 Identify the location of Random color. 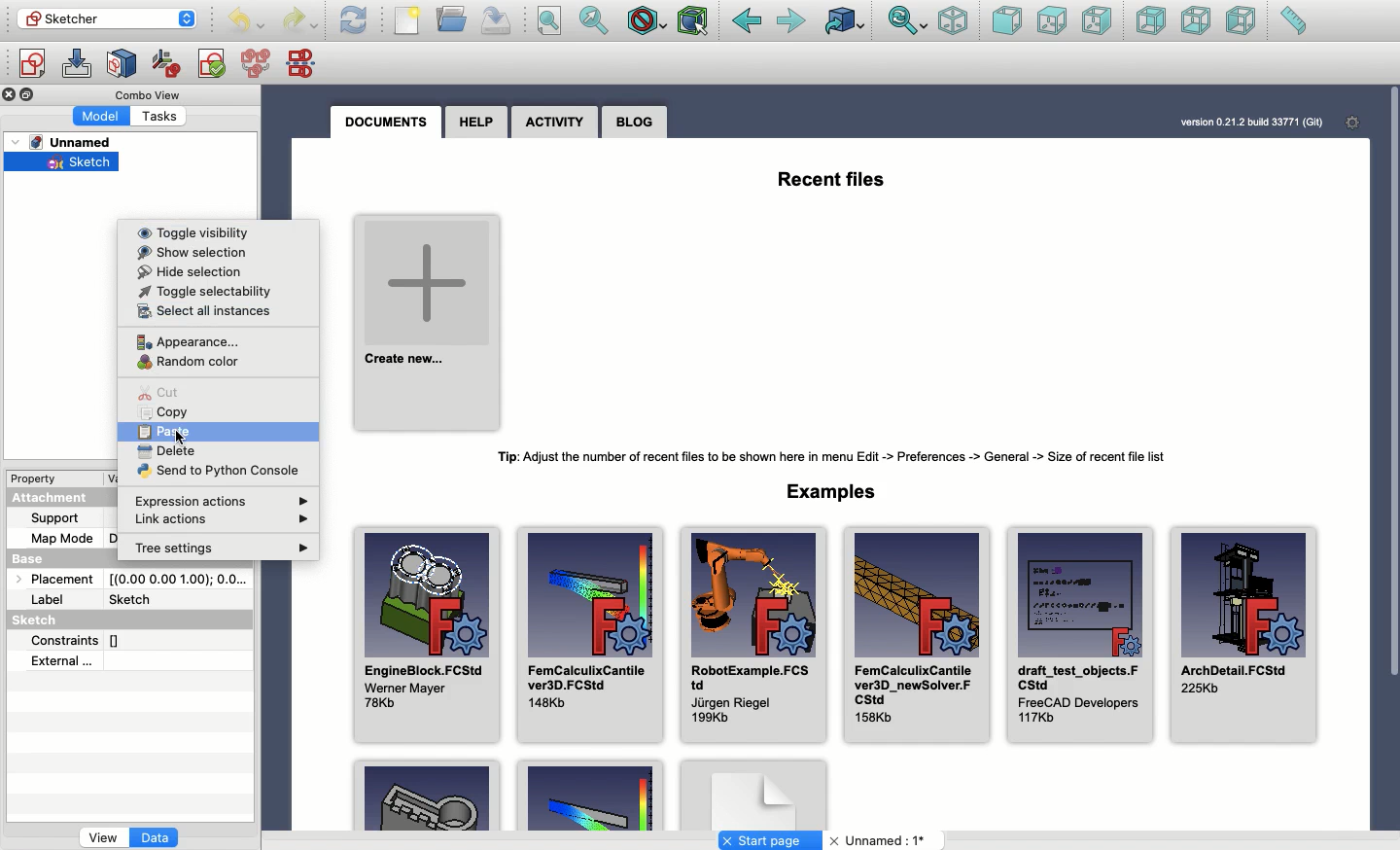
(183, 361).